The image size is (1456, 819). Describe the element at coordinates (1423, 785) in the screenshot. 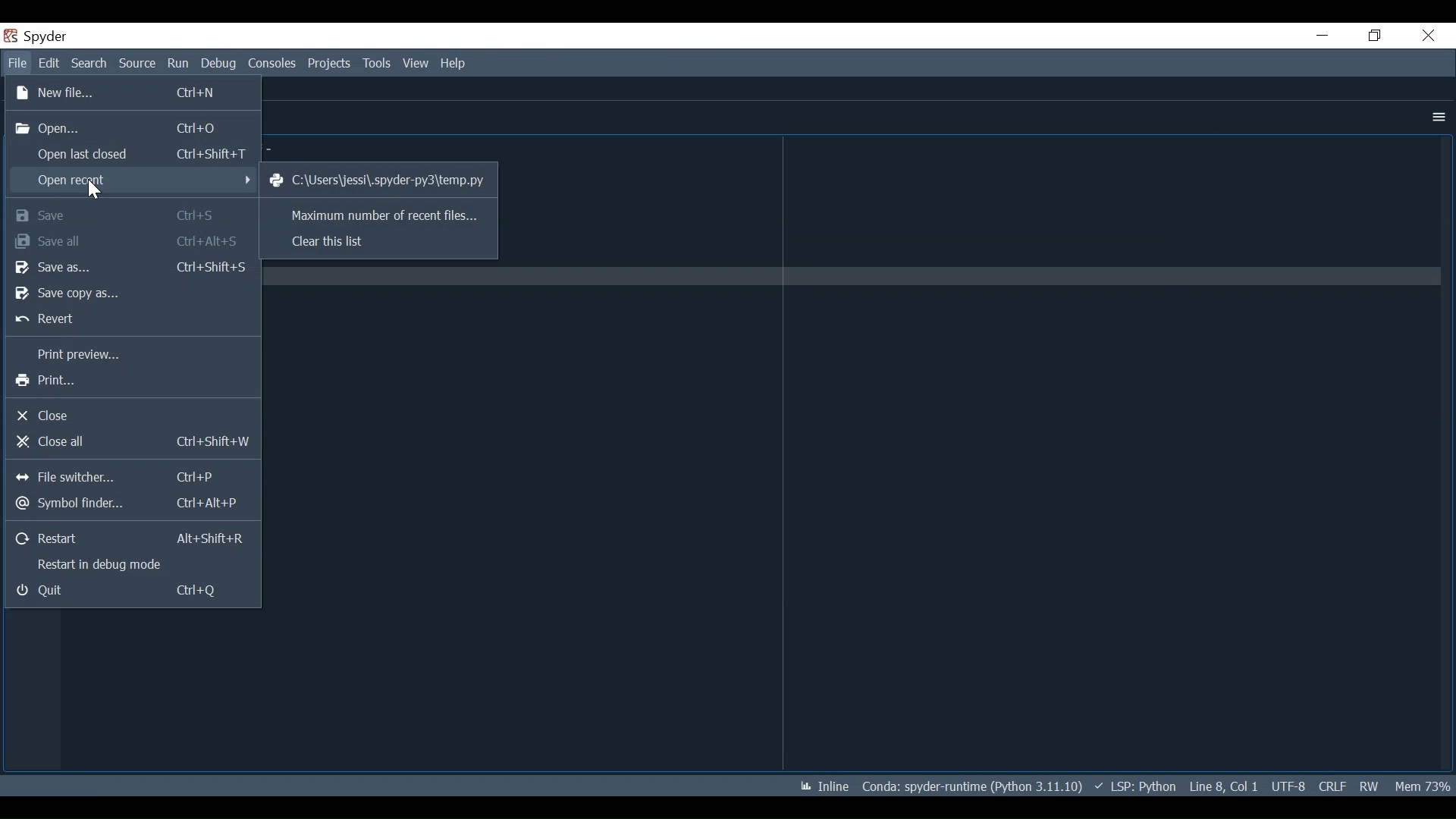

I see `Memory Usage` at that location.